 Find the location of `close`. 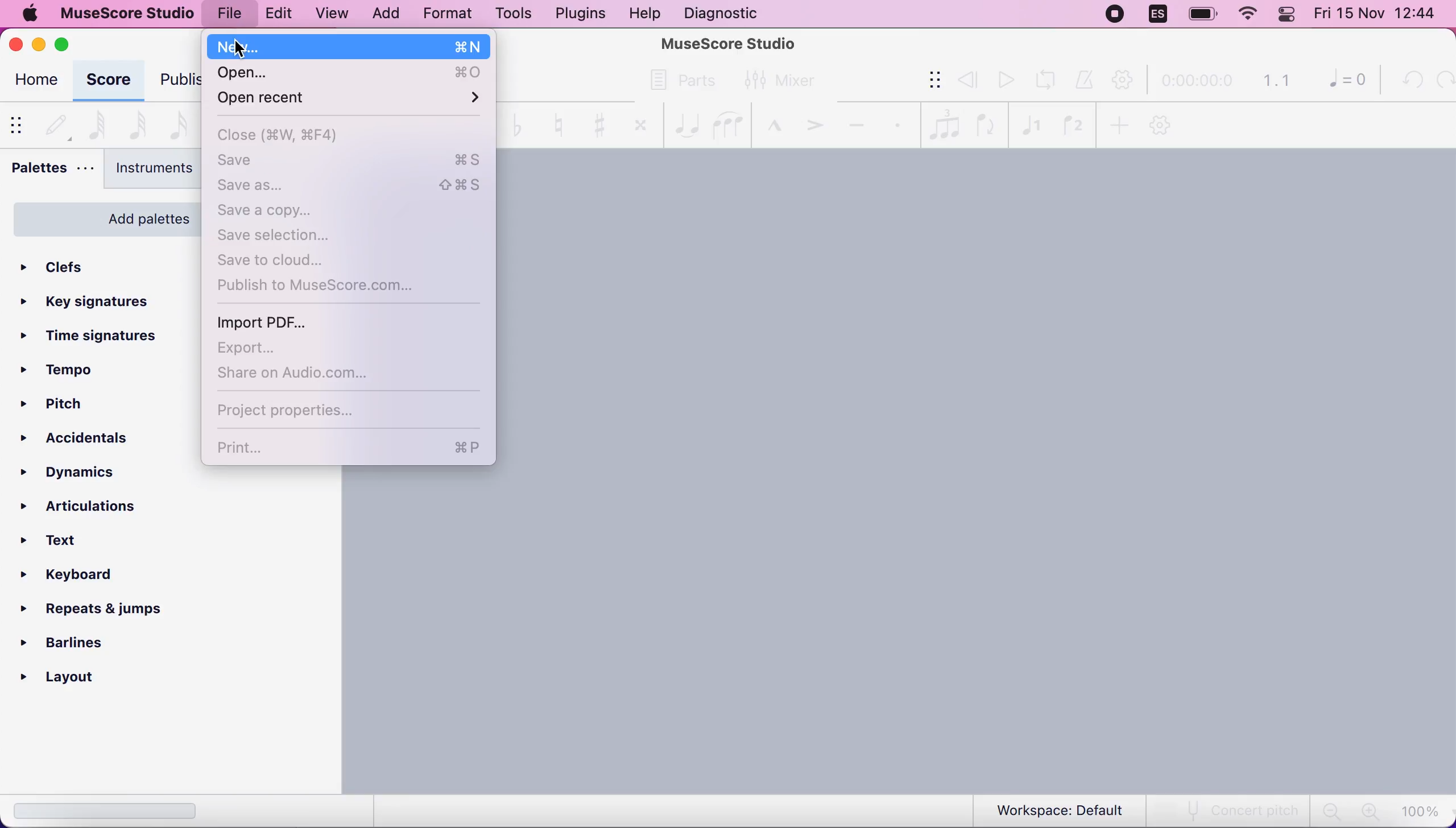

close is located at coordinates (315, 134).